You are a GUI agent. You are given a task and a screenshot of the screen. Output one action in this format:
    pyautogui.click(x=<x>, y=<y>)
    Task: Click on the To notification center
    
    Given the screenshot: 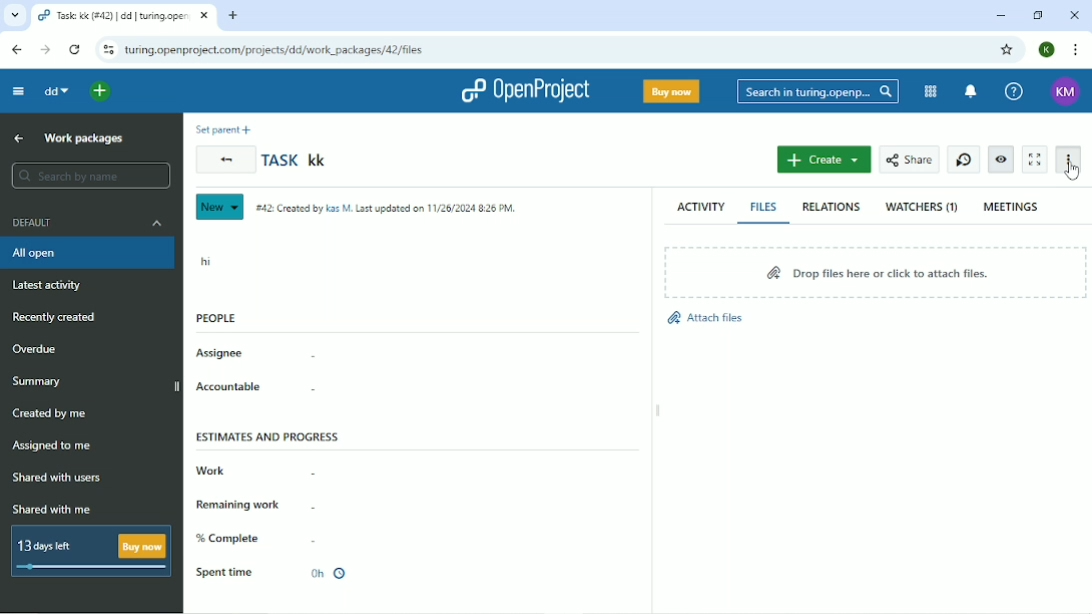 What is the action you would take?
    pyautogui.click(x=969, y=90)
    